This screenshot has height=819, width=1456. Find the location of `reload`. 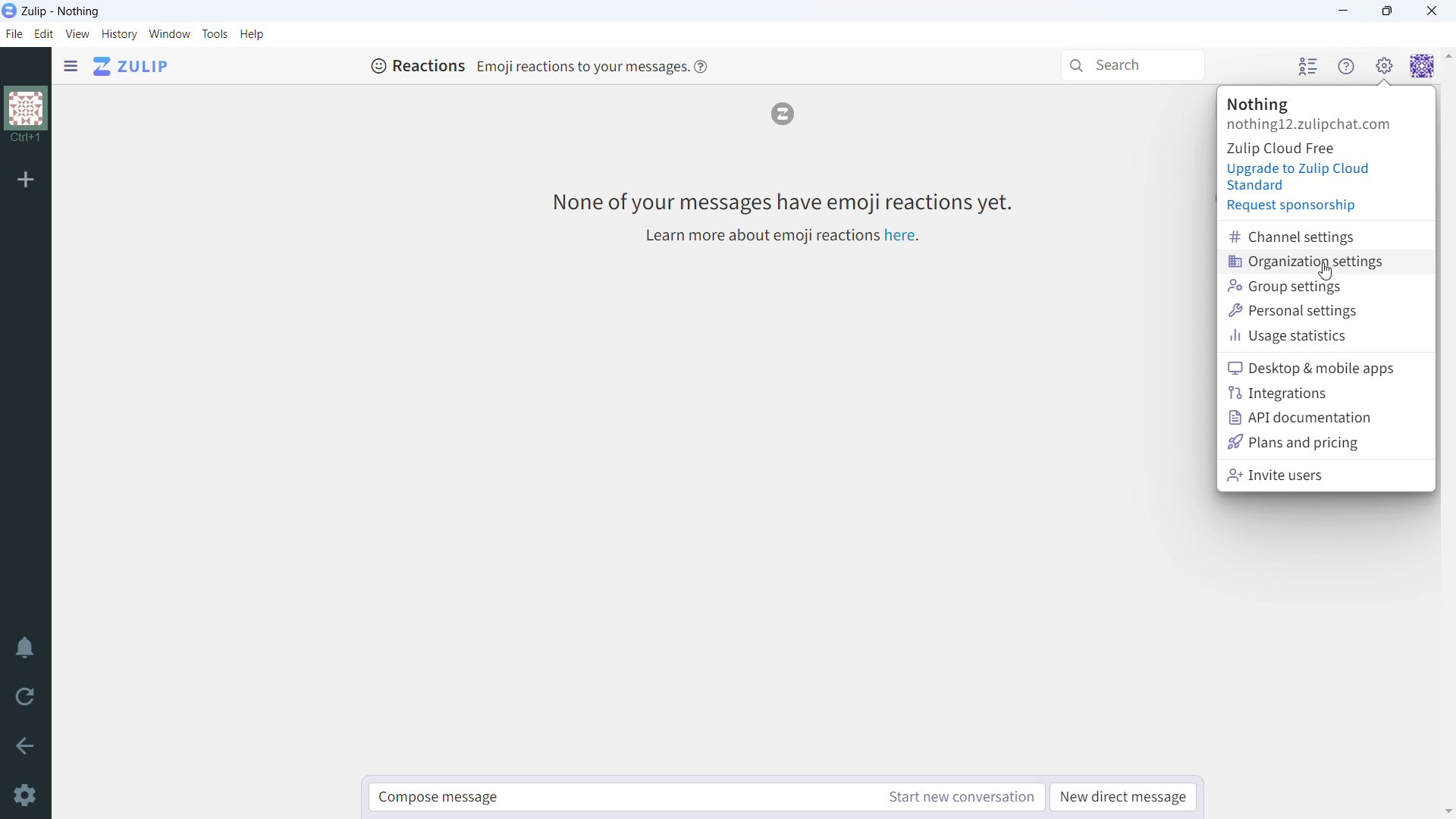

reload is located at coordinates (25, 698).